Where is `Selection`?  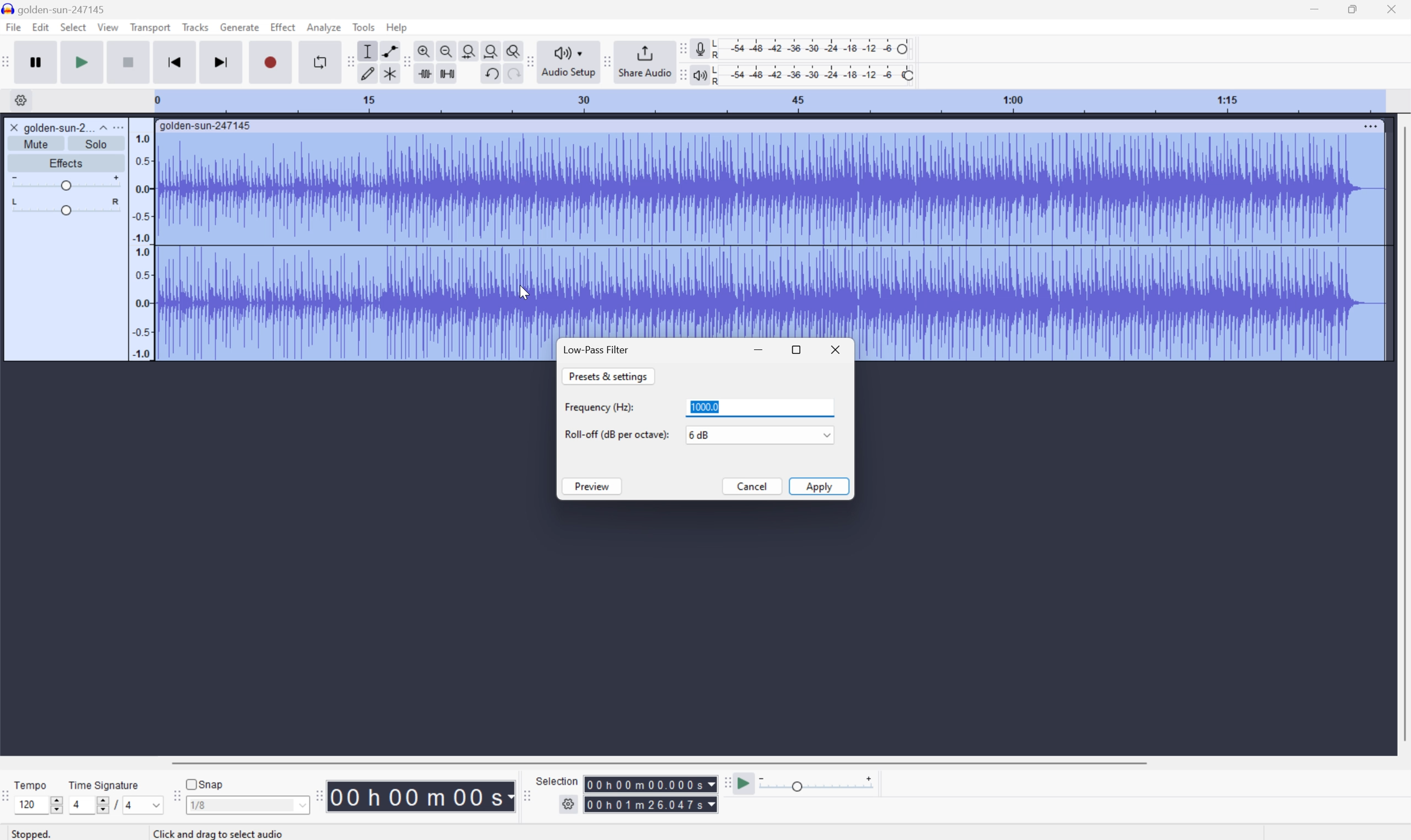
Selection is located at coordinates (559, 781).